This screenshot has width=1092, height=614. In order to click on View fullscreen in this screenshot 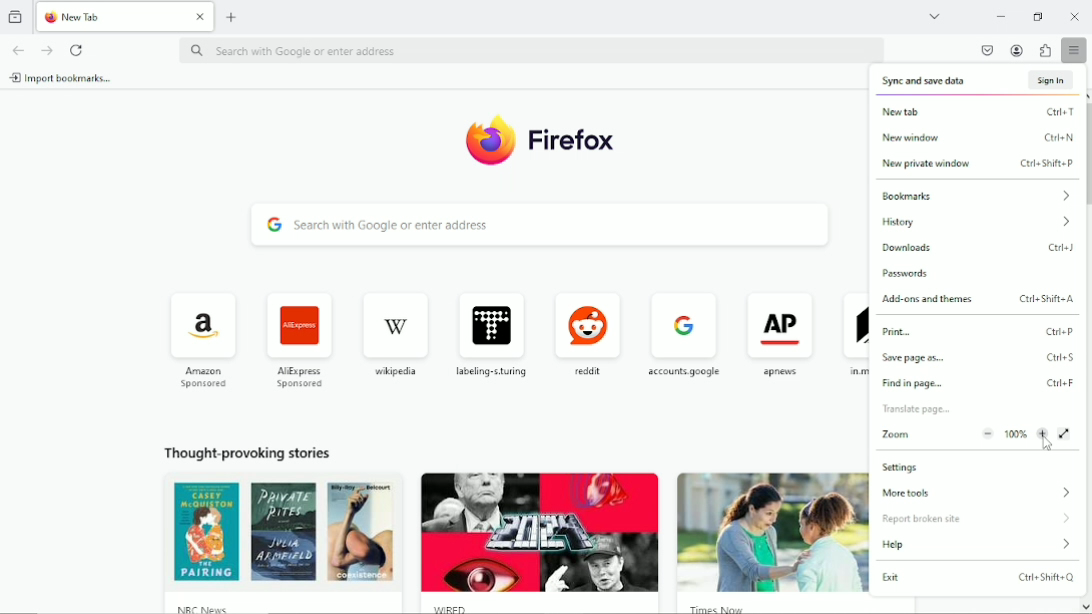, I will do `click(1066, 433)`.